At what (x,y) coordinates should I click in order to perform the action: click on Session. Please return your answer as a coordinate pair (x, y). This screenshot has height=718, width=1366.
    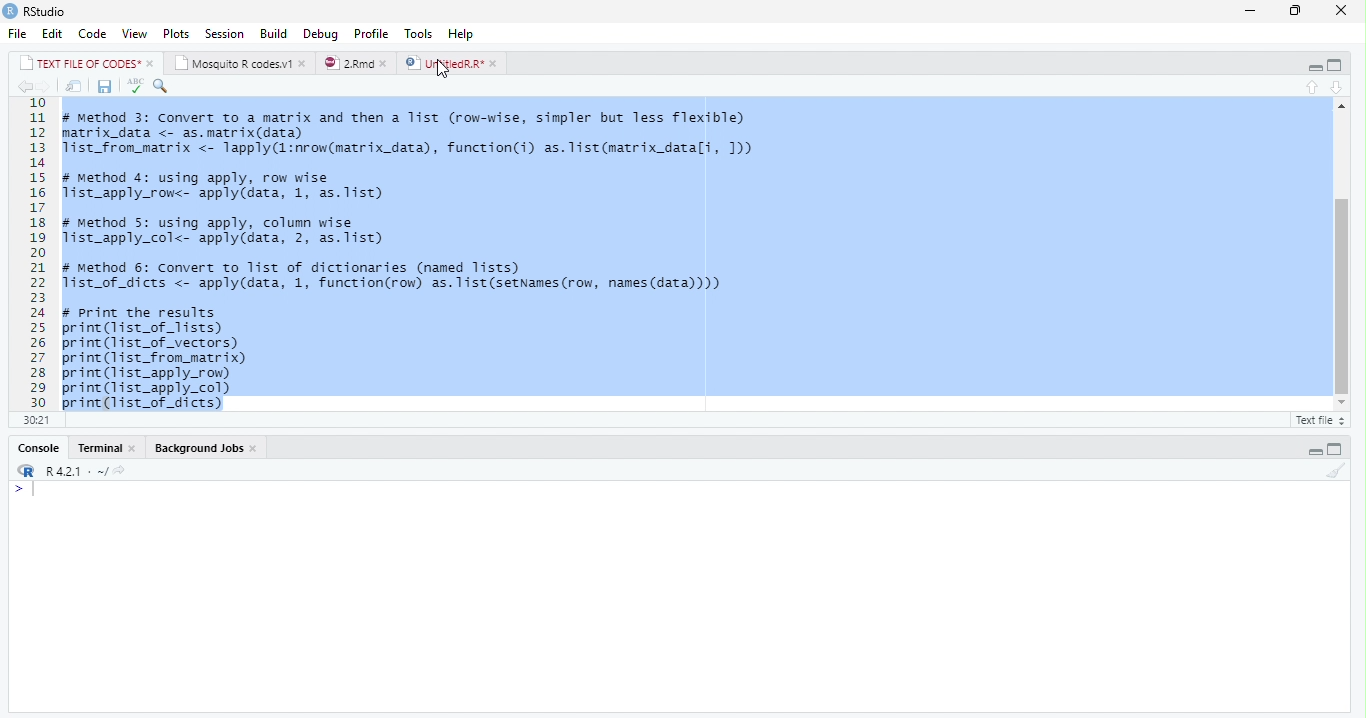
    Looking at the image, I should click on (226, 33).